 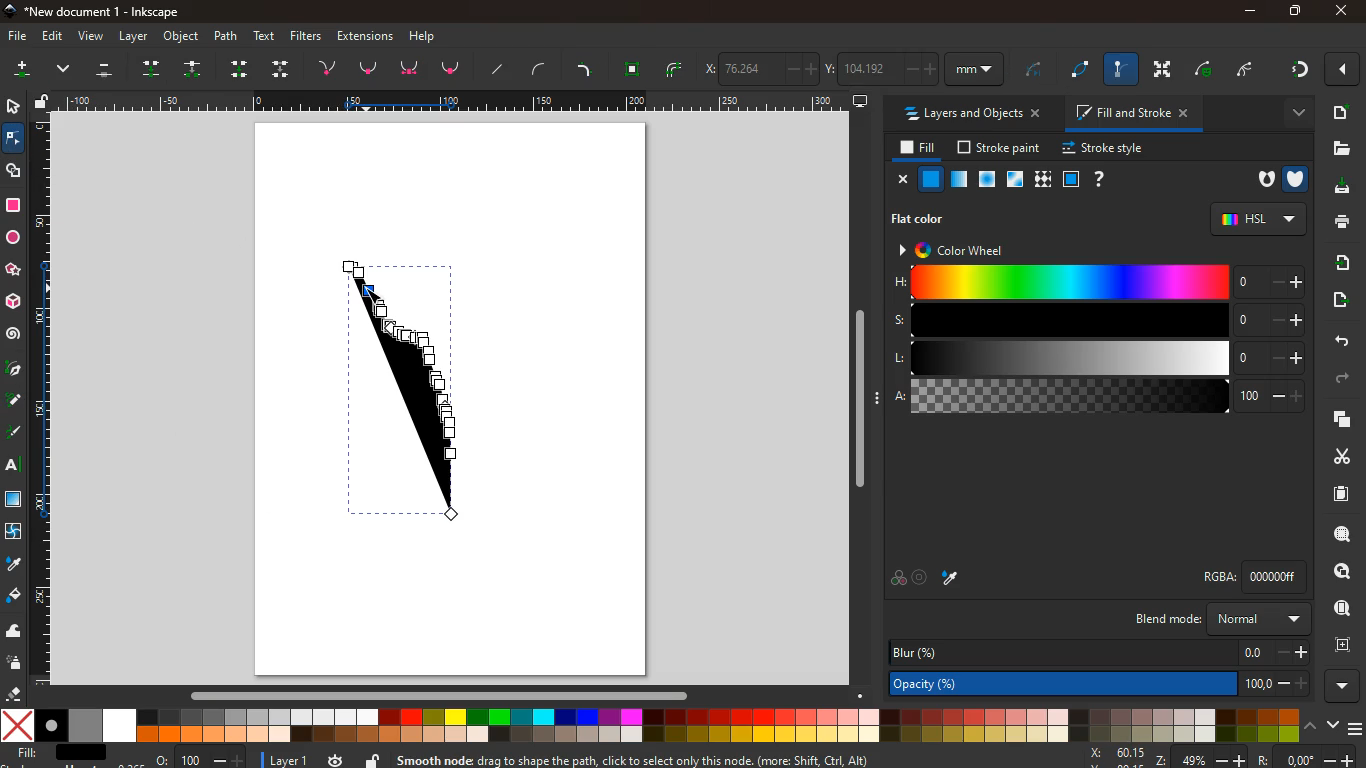 I want to click on ice, so click(x=989, y=180).